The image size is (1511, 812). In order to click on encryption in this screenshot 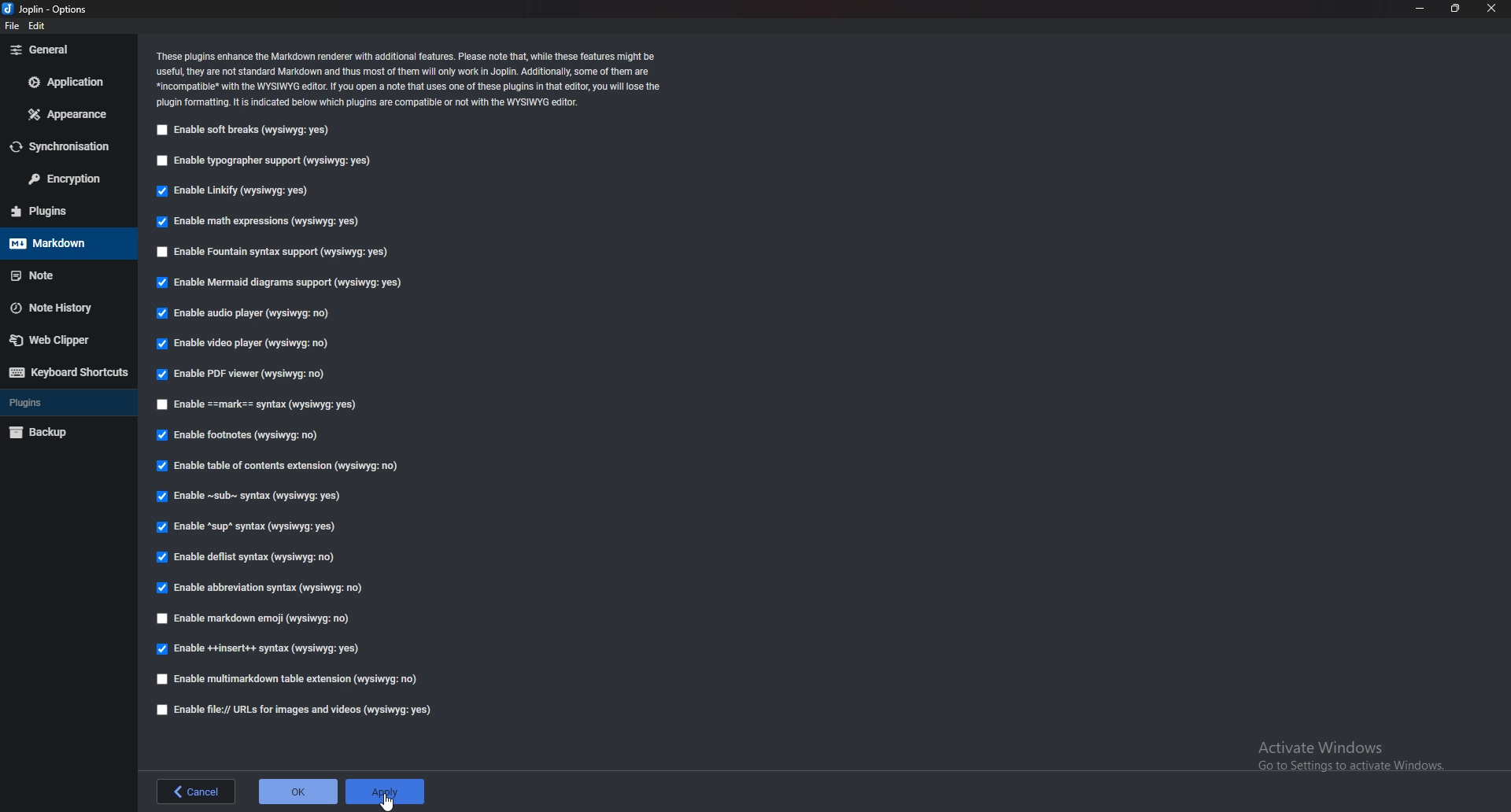, I will do `click(66, 178)`.